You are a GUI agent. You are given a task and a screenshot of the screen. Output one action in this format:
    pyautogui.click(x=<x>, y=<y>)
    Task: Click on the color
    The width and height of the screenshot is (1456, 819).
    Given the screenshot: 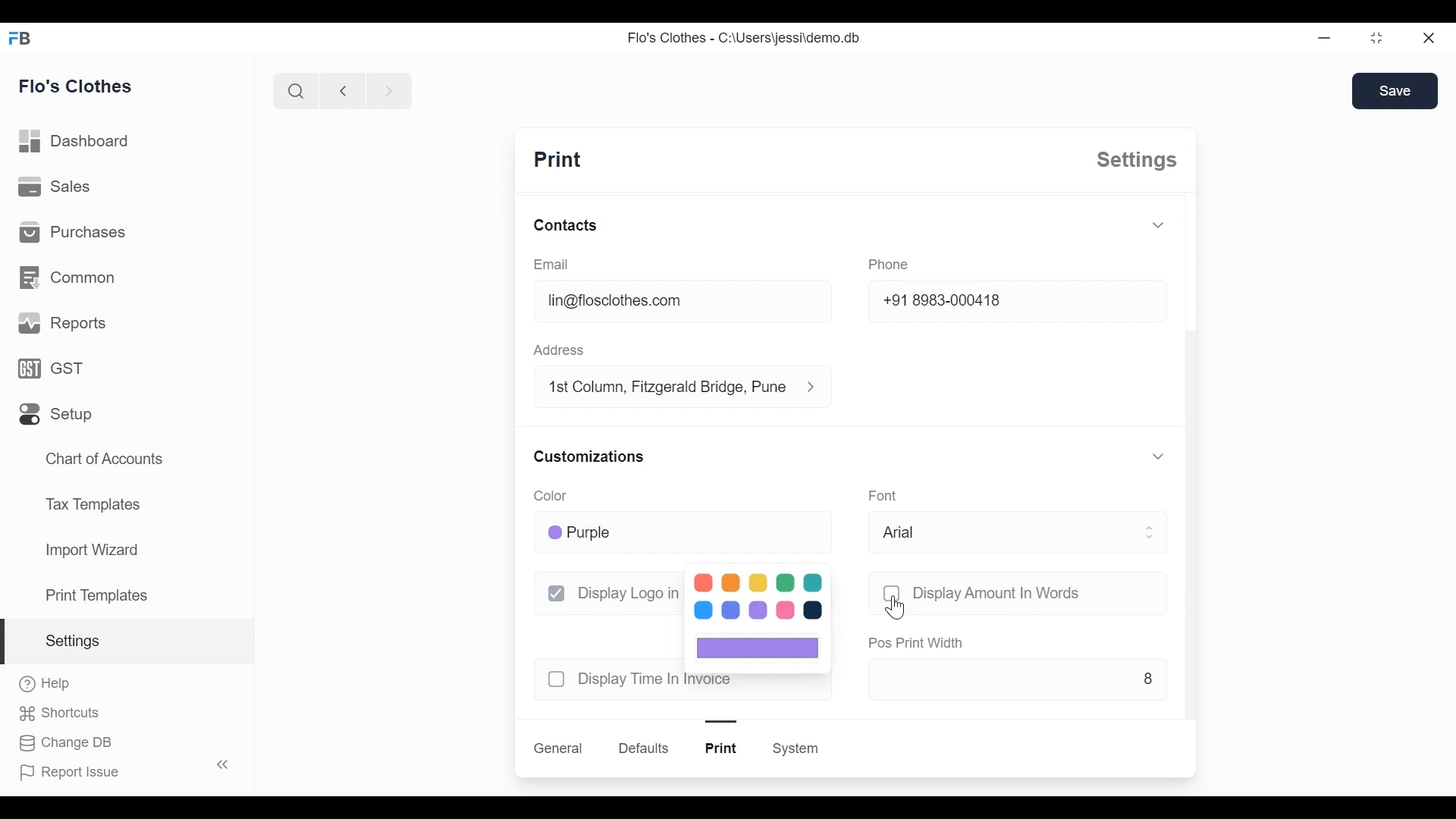 What is the action you would take?
    pyautogui.click(x=549, y=495)
    